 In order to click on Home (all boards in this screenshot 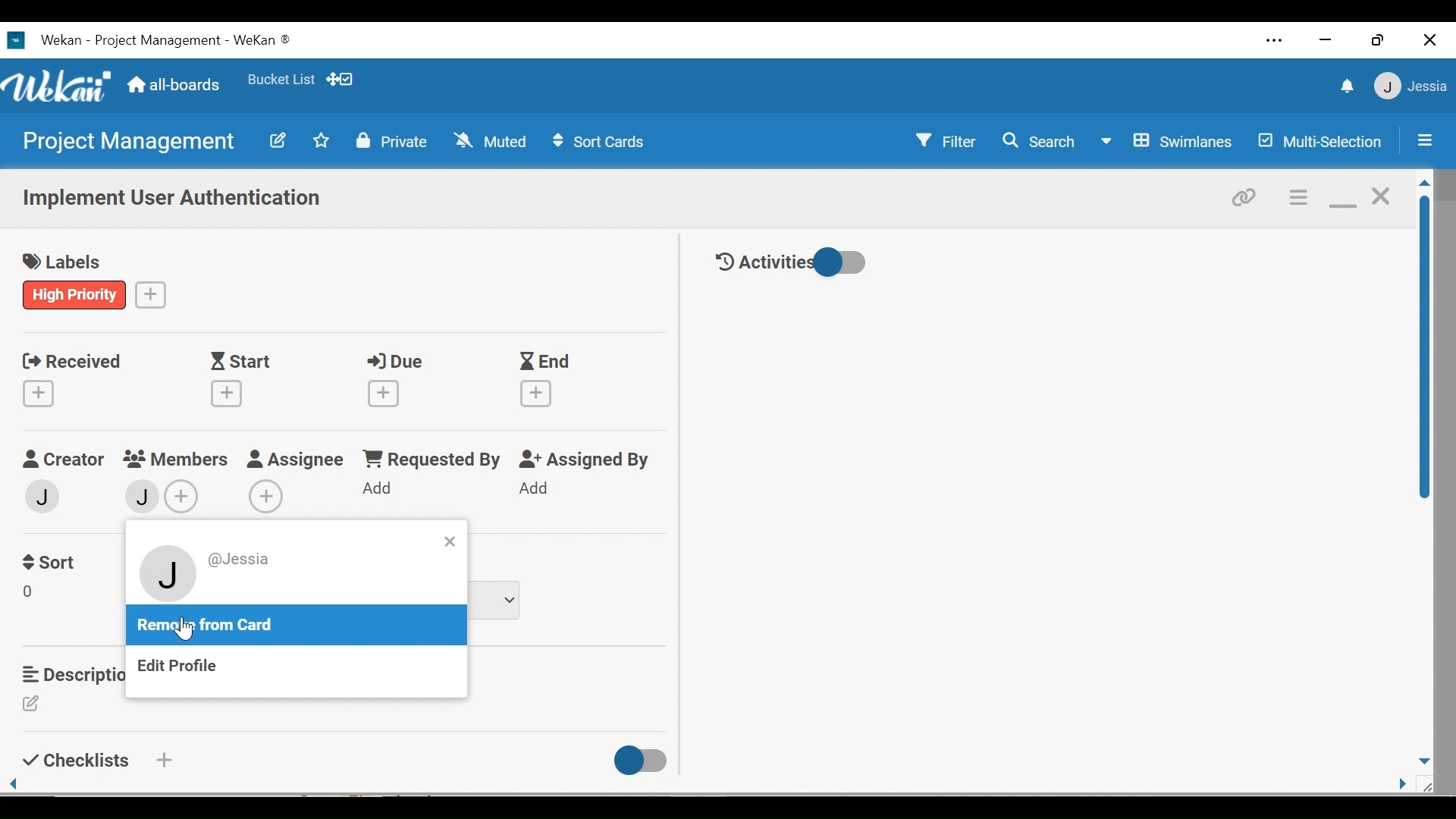, I will do `click(175, 83)`.